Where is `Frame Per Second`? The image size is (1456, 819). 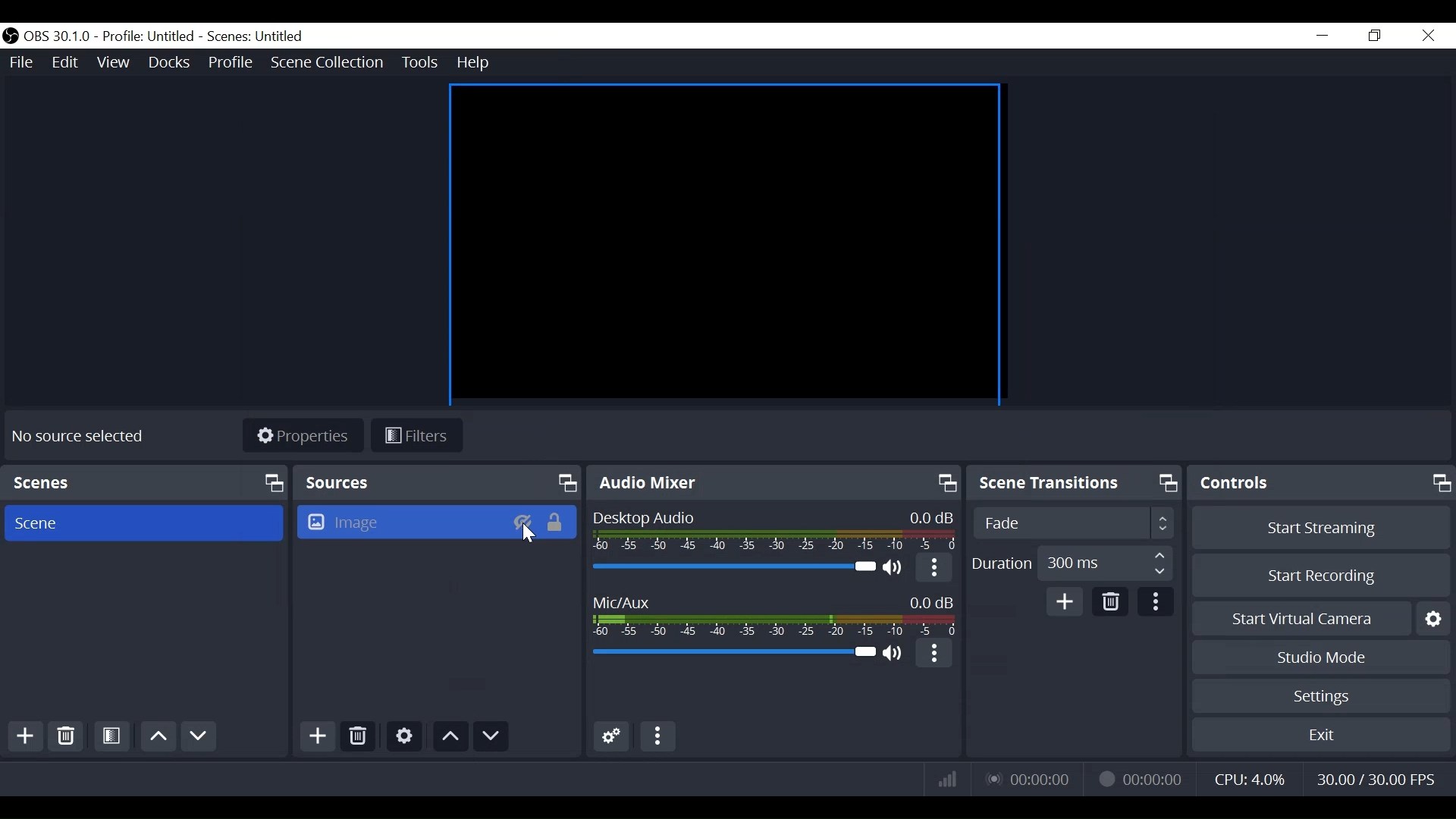 Frame Per Second is located at coordinates (1370, 780).